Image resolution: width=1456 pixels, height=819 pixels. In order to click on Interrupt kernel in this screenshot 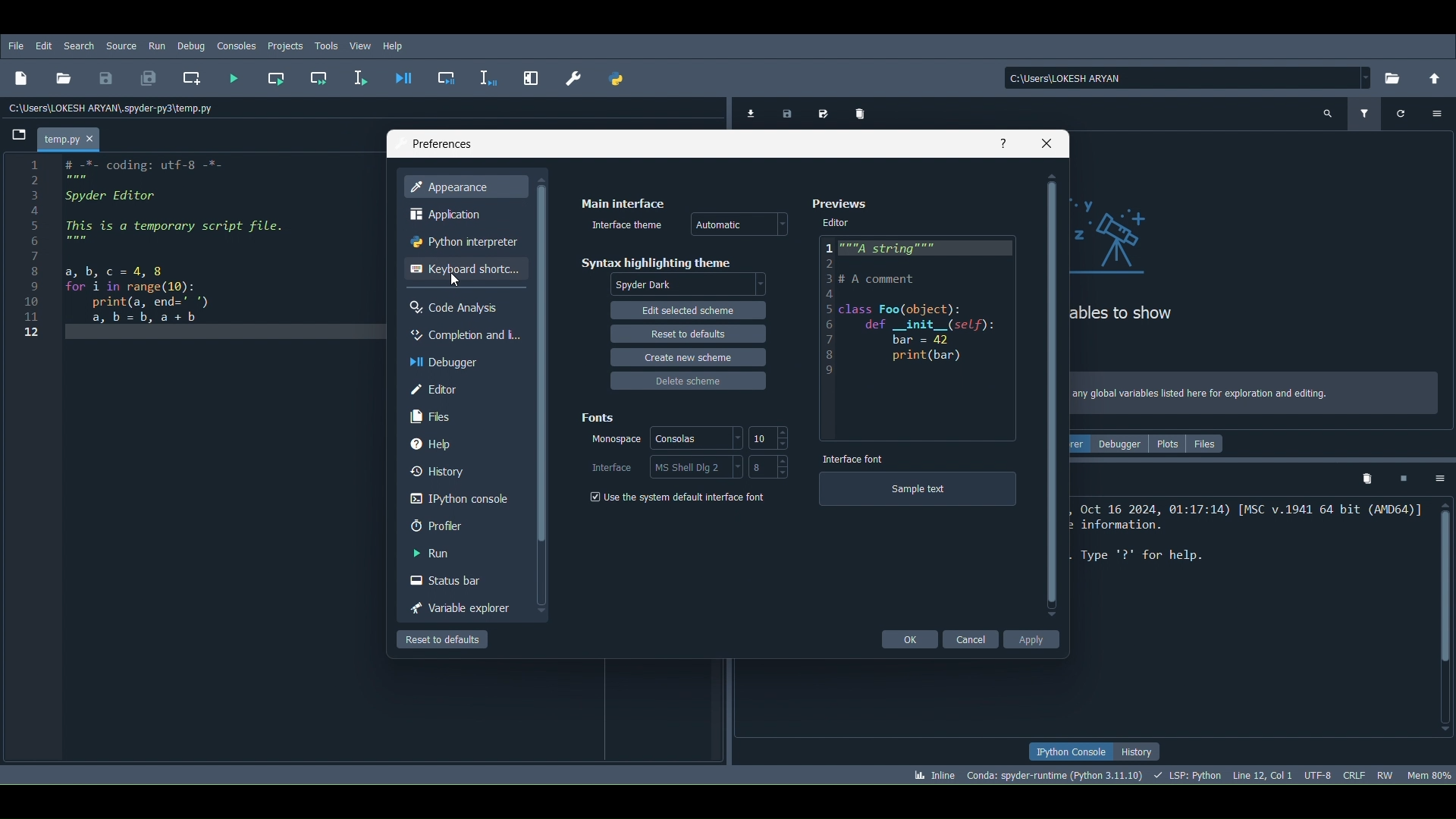, I will do `click(1402, 477)`.